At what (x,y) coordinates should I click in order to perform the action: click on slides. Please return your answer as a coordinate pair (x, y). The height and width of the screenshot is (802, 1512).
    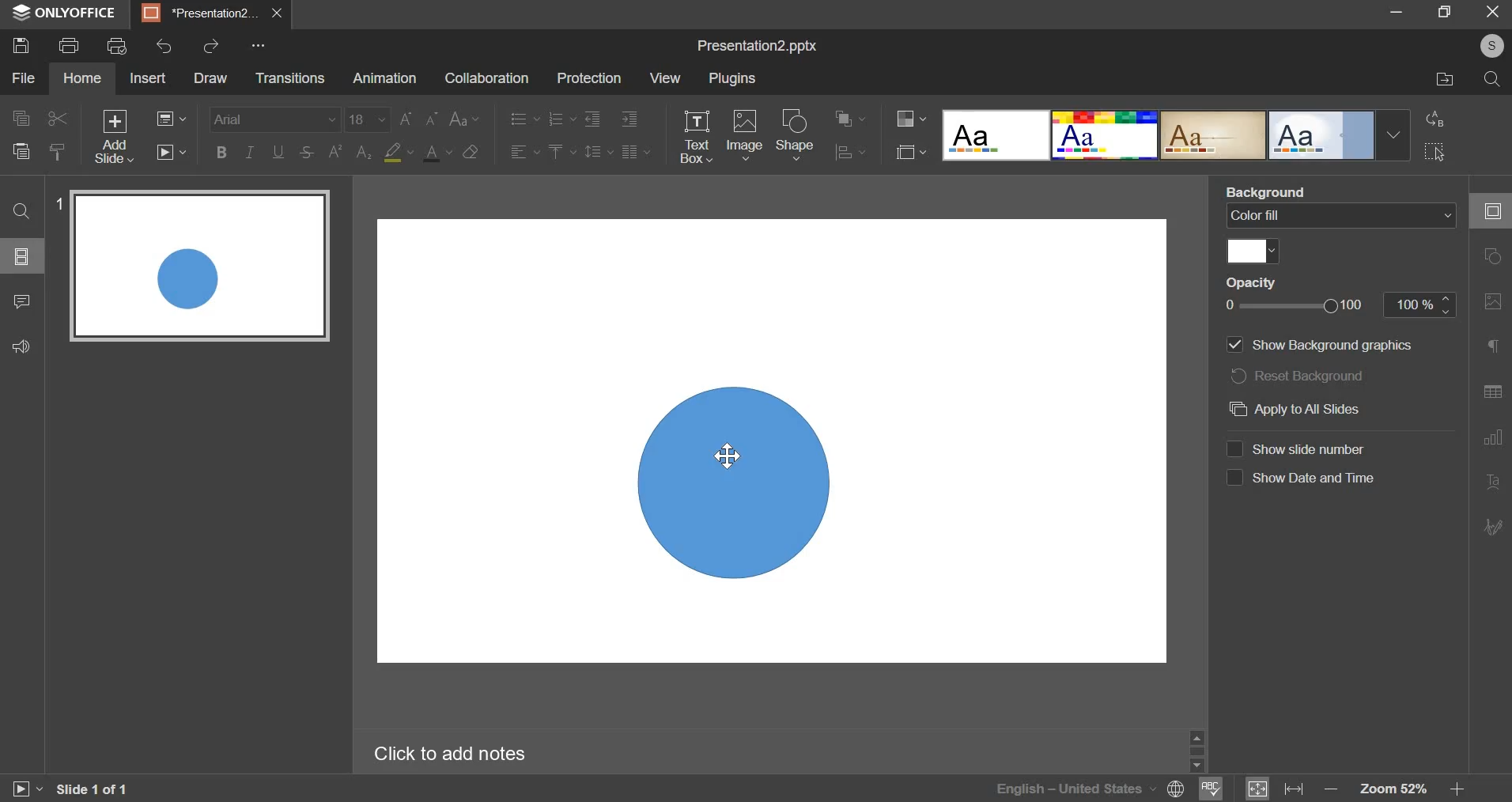
    Looking at the image, I should click on (24, 256).